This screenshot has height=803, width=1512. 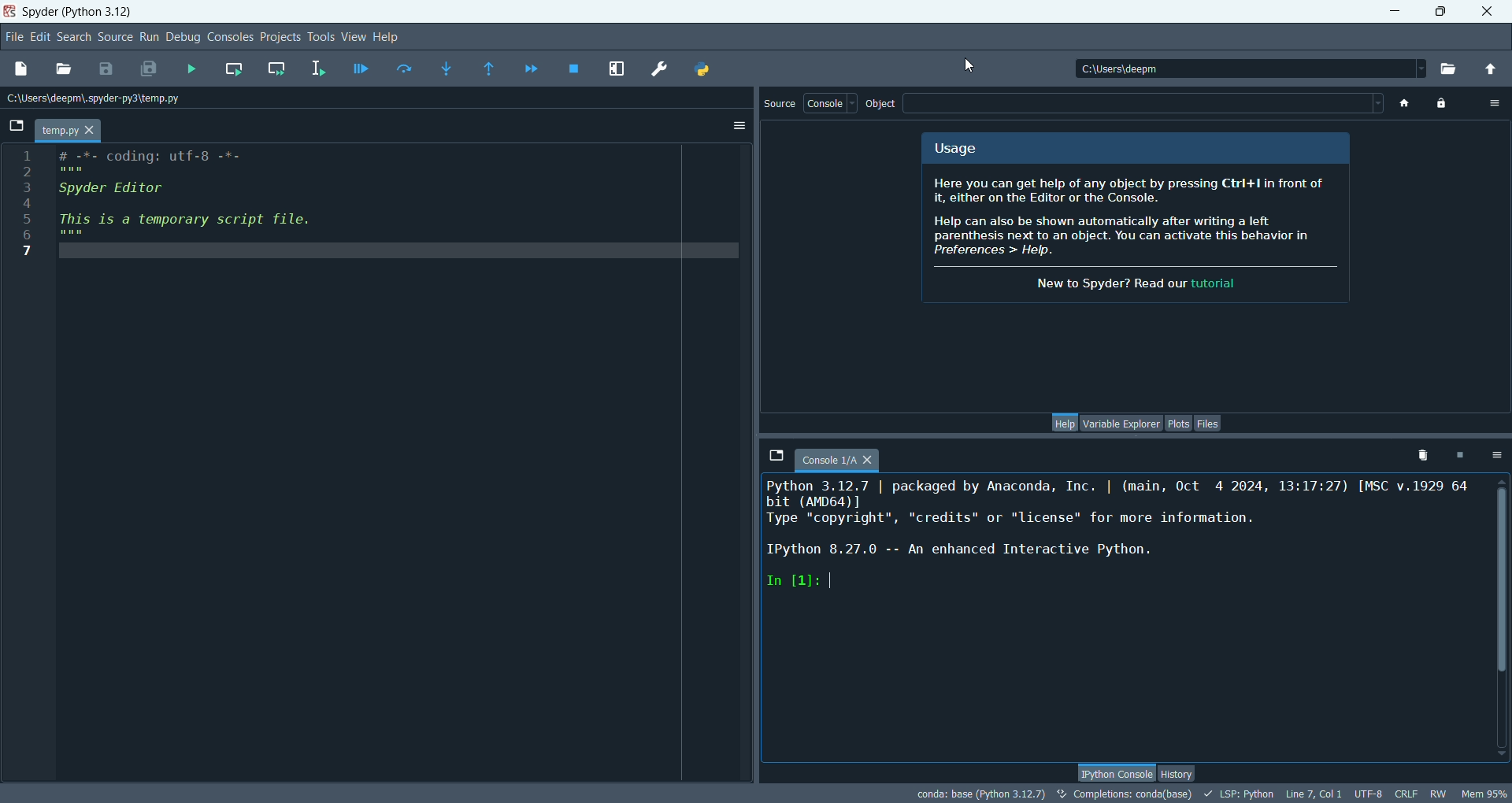 I want to click on PYTHONPATH manager, so click(x=703, y=71).